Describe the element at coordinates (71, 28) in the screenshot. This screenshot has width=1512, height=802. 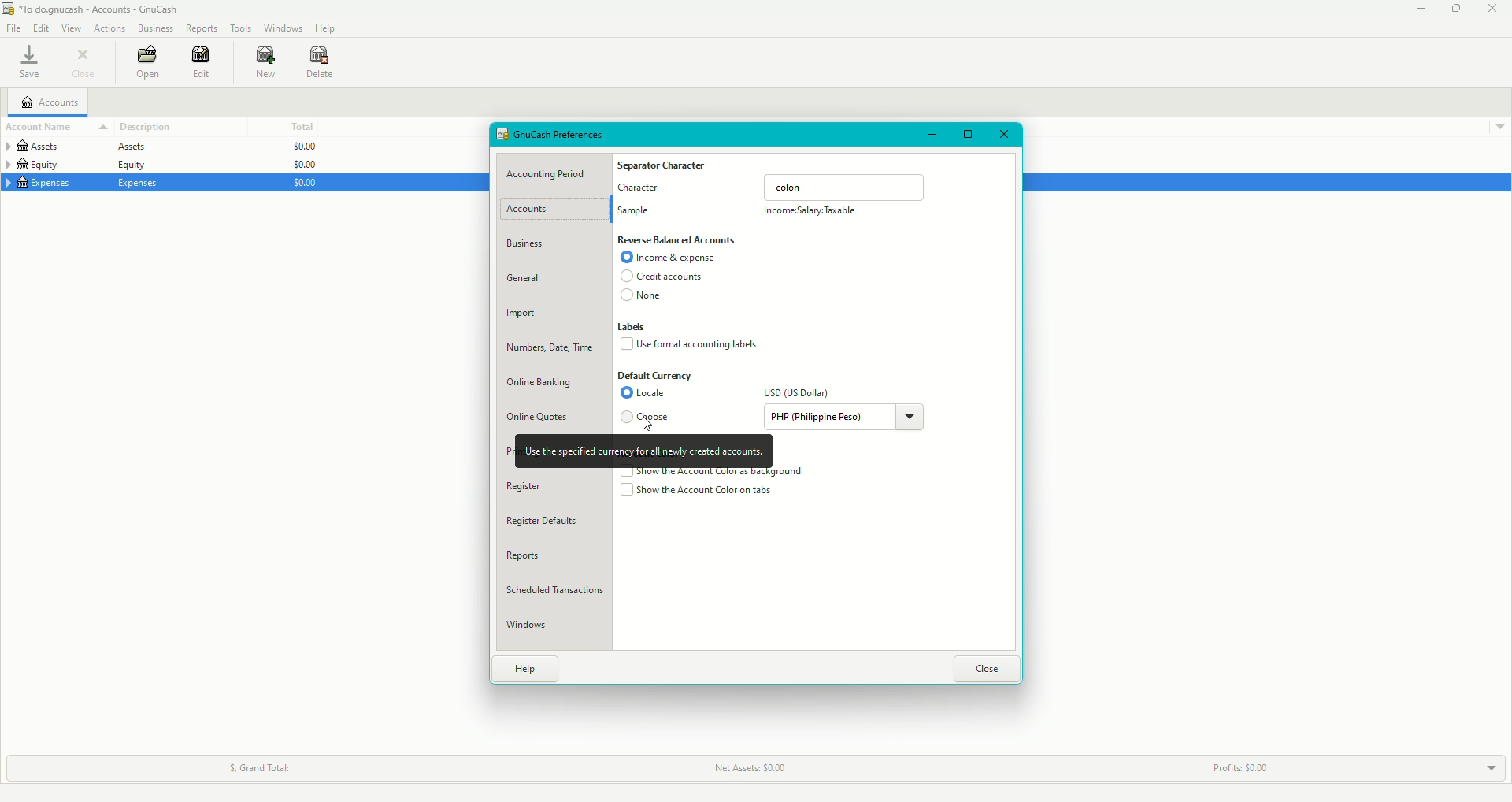
I see `View` at that location.